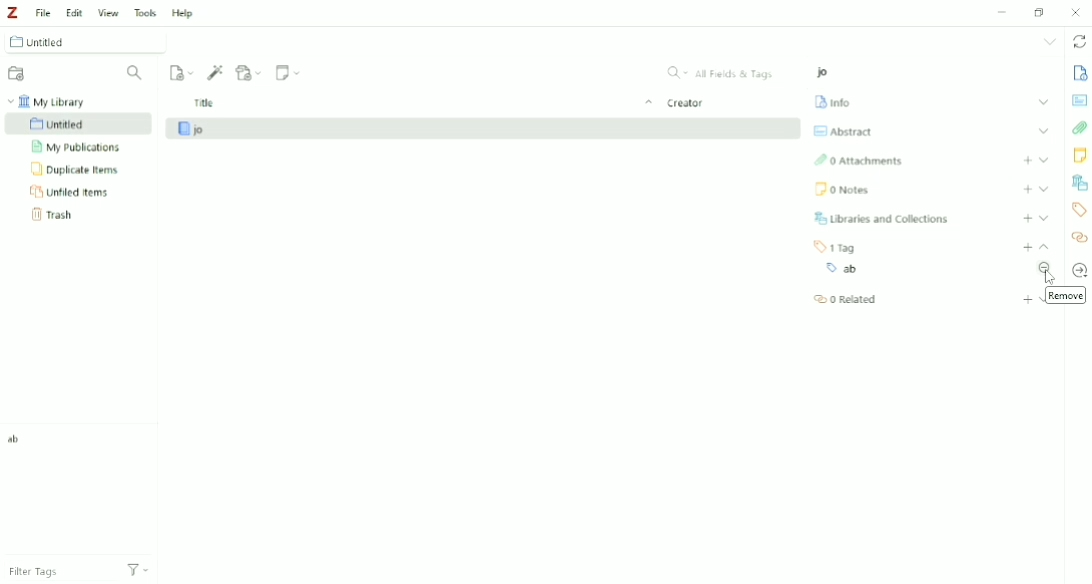 This screenshot has width=1092, height=584. What do you see at coordinates (834, 102) in the screenshot?
I see `Info` at bounding box center [834, 102].